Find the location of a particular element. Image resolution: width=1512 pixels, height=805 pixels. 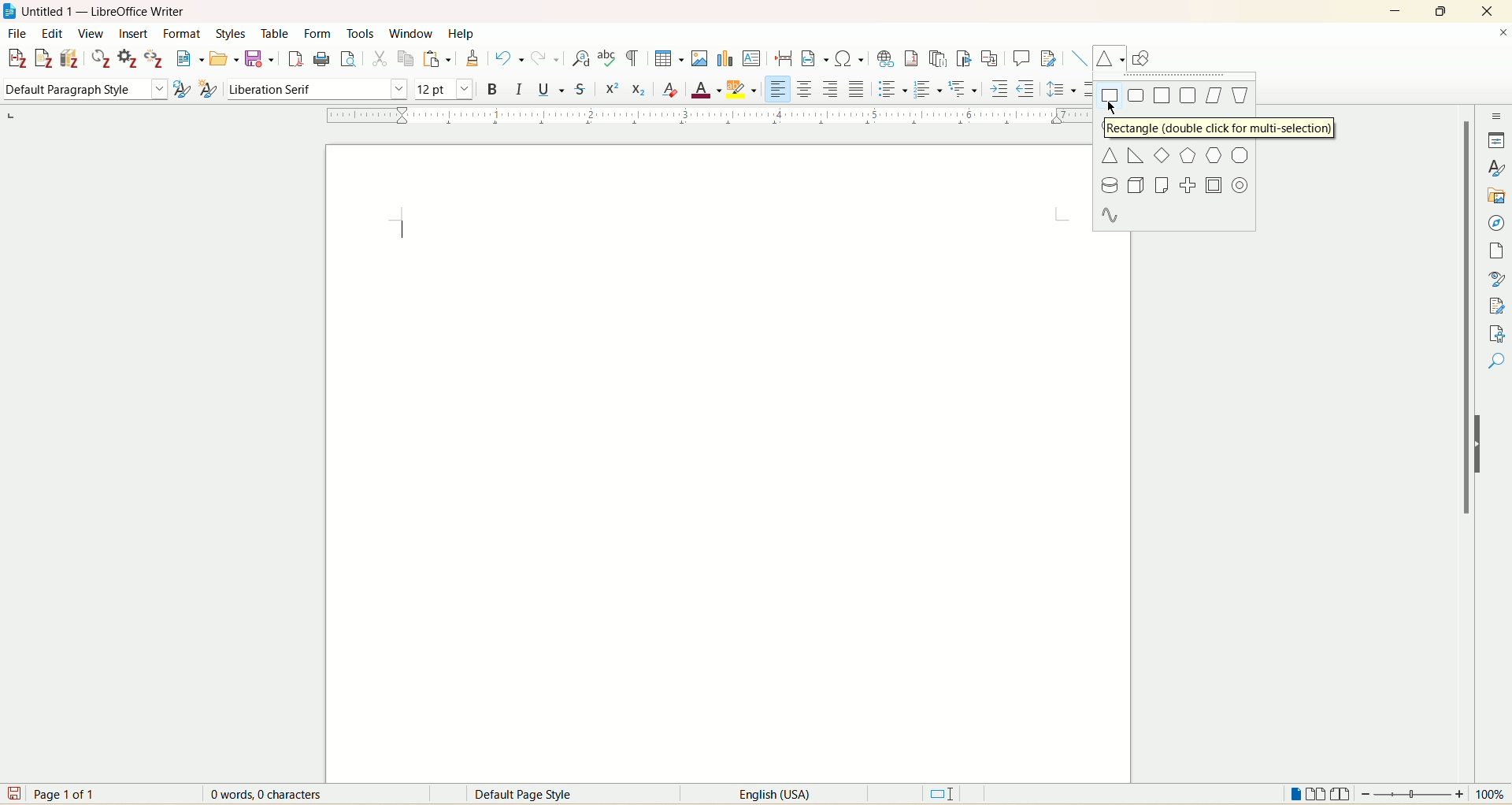

toggle unordered list is located at coordinates (891, 88).